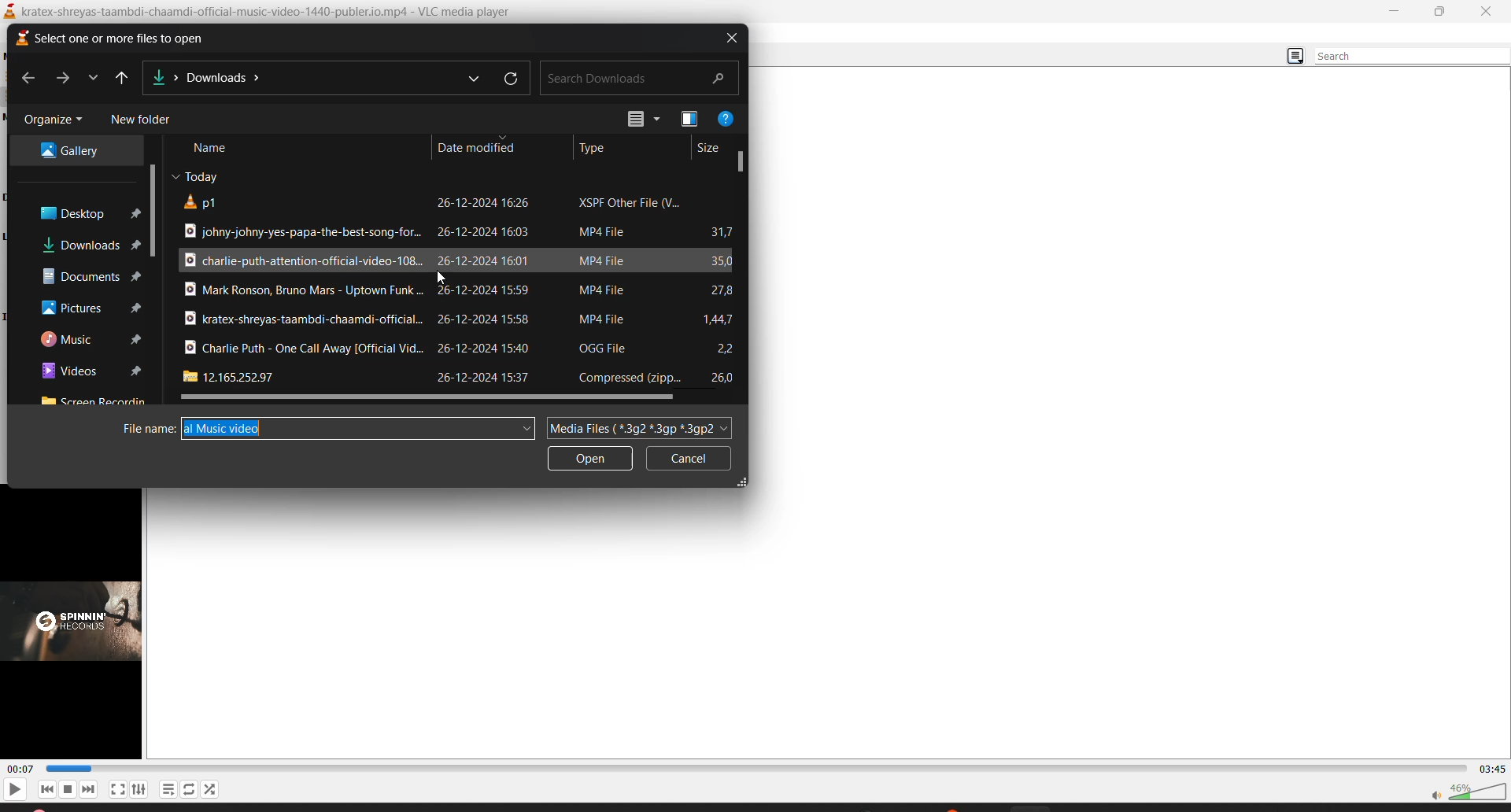 The height and width of the screenshot is (812, 1511). I want to click on pictures, so click(100, 308).